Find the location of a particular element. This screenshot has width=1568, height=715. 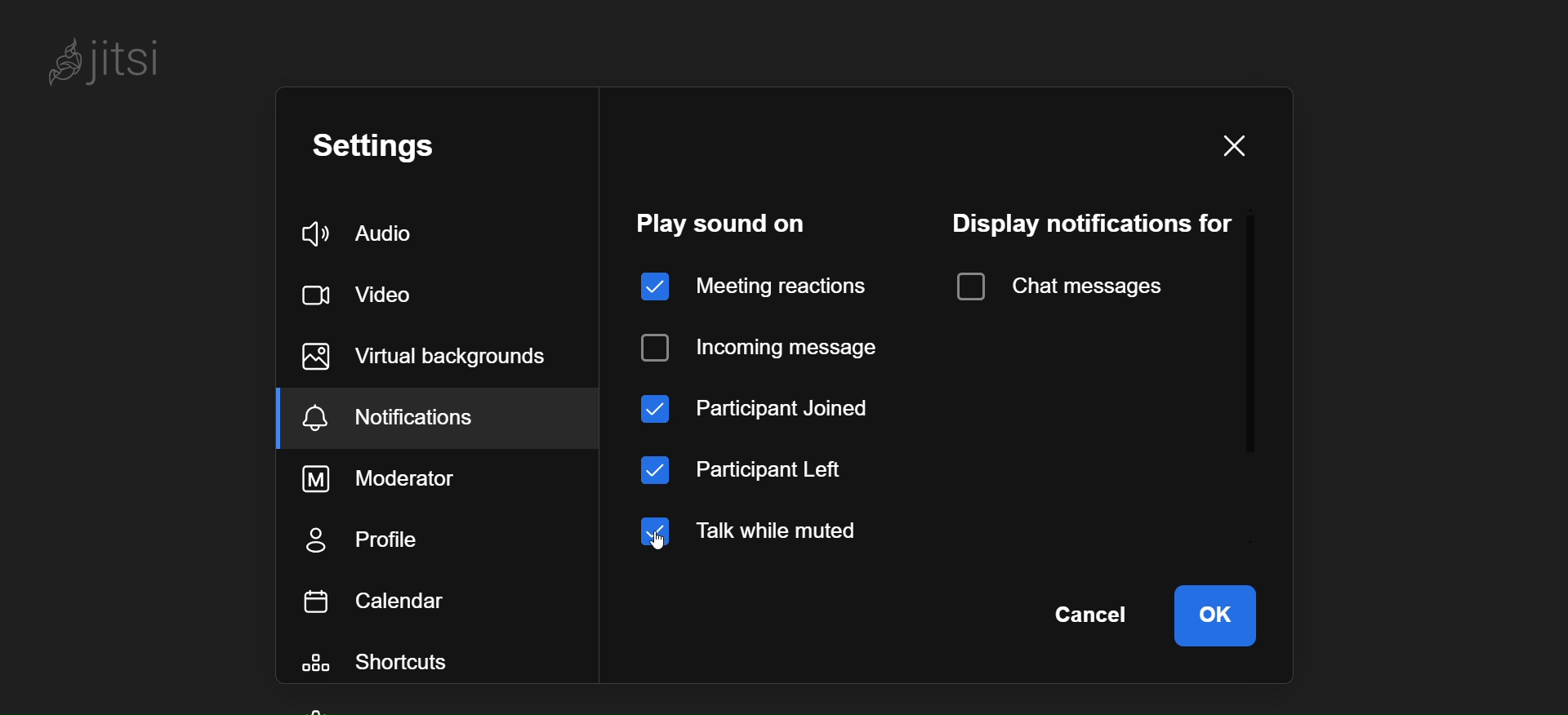

close is located at coordinates (1240, 145).